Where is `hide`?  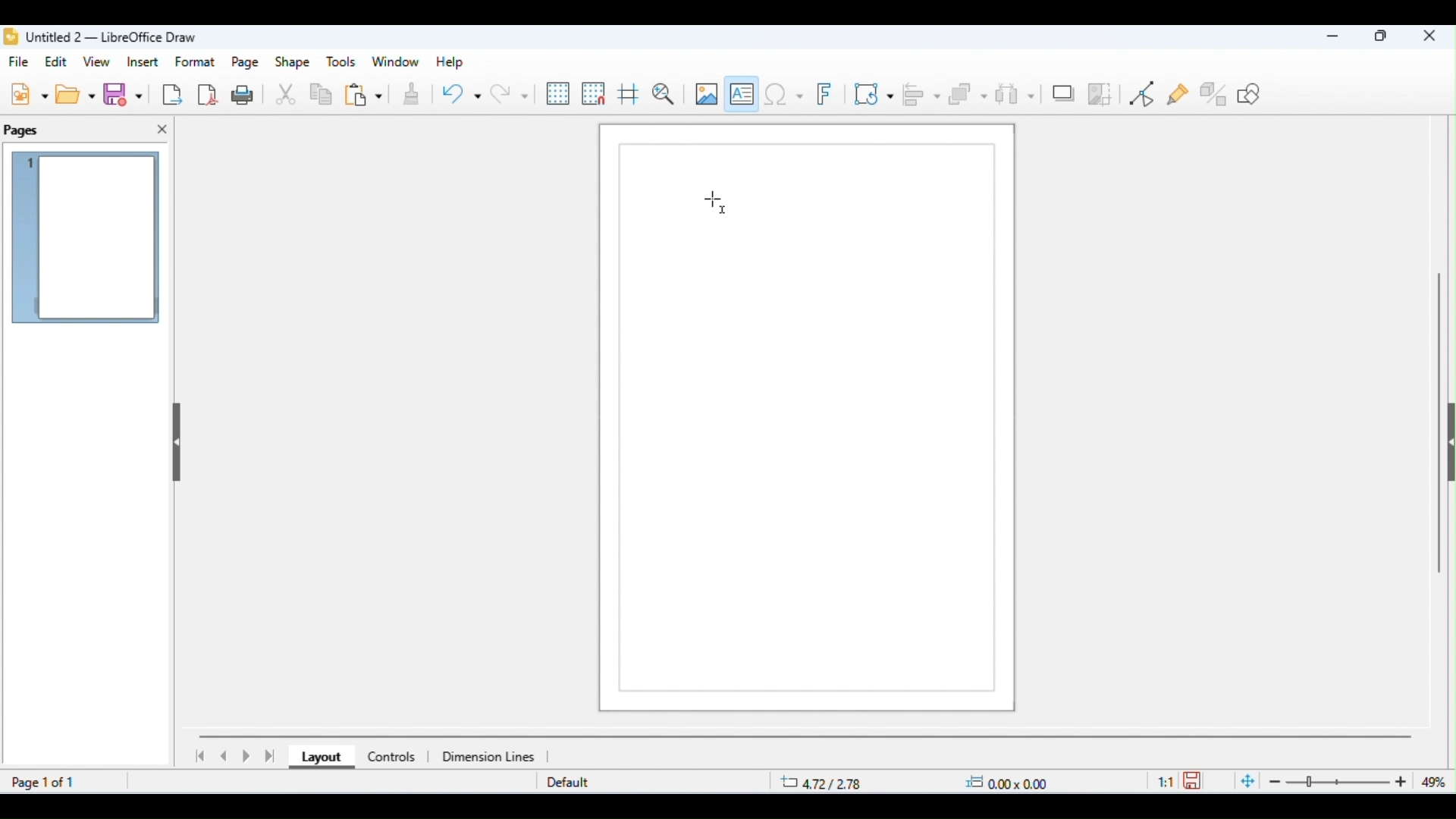
hide is located at coordinates (1447, 446).